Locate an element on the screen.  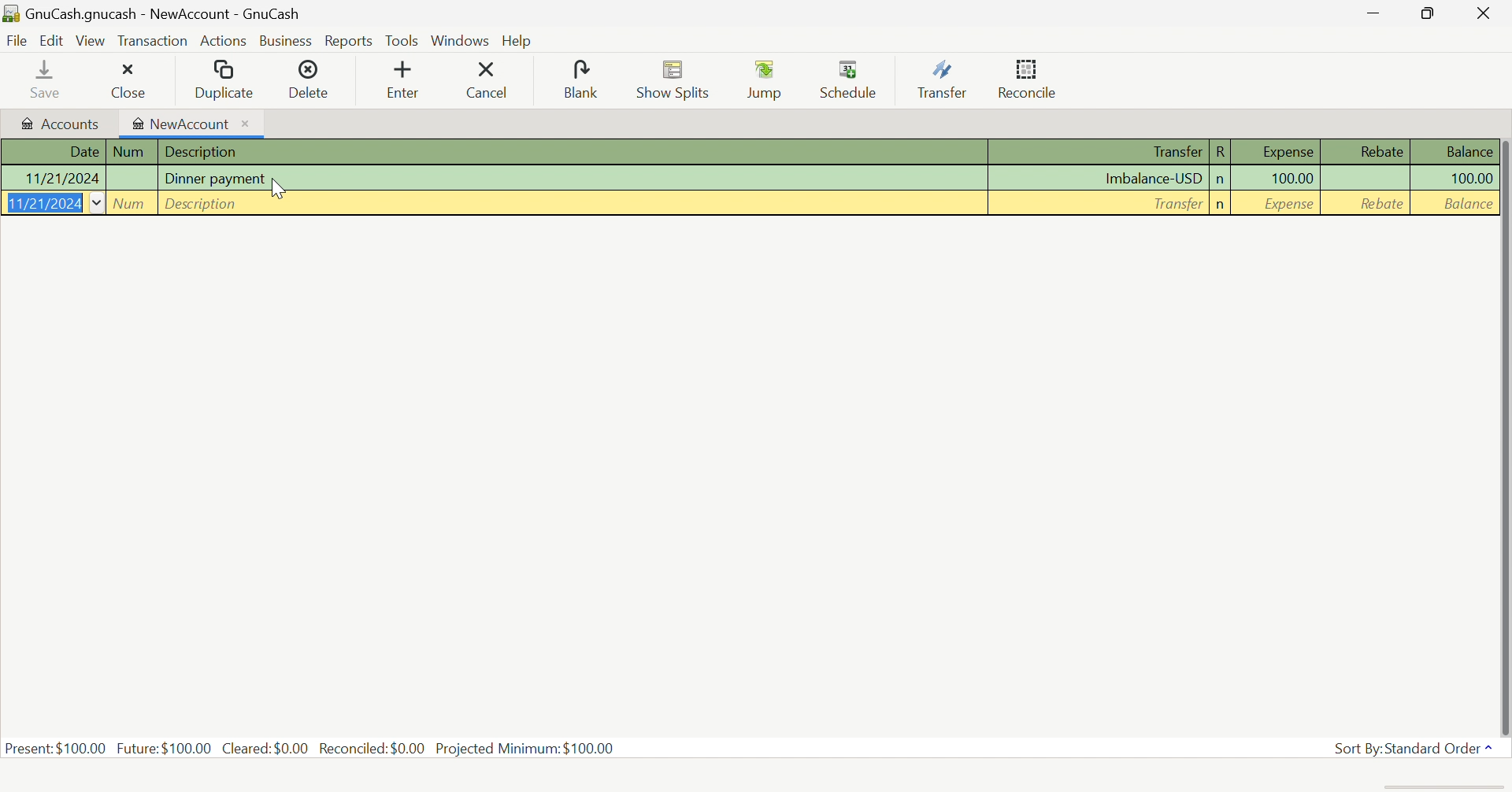
Accounts is located at coordinates (62, 126).